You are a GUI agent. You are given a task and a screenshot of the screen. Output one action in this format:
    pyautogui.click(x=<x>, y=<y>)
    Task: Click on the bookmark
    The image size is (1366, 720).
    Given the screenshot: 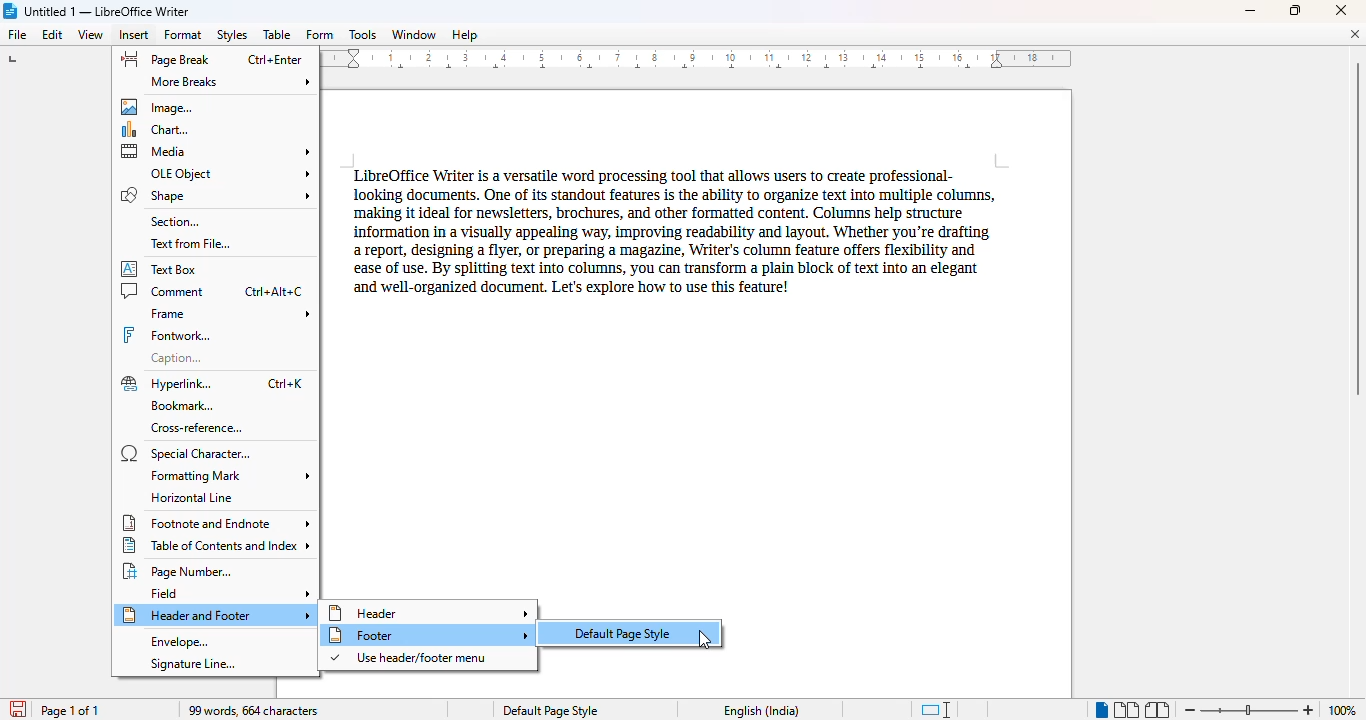 What is the action you would take?
    pyautogui.click(x=181, y=406)
    